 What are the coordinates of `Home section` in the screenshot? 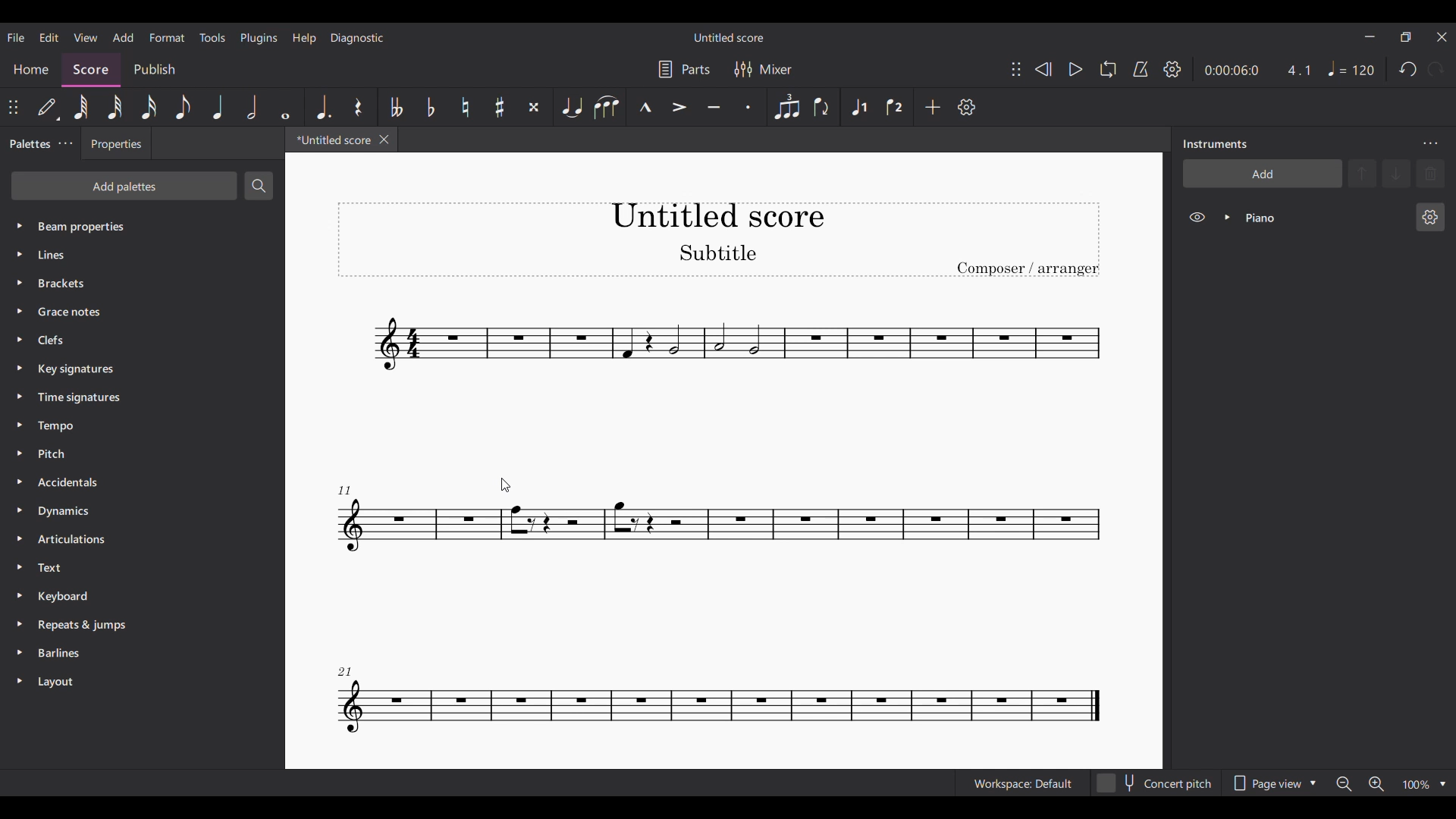 It's located at (31, 69).